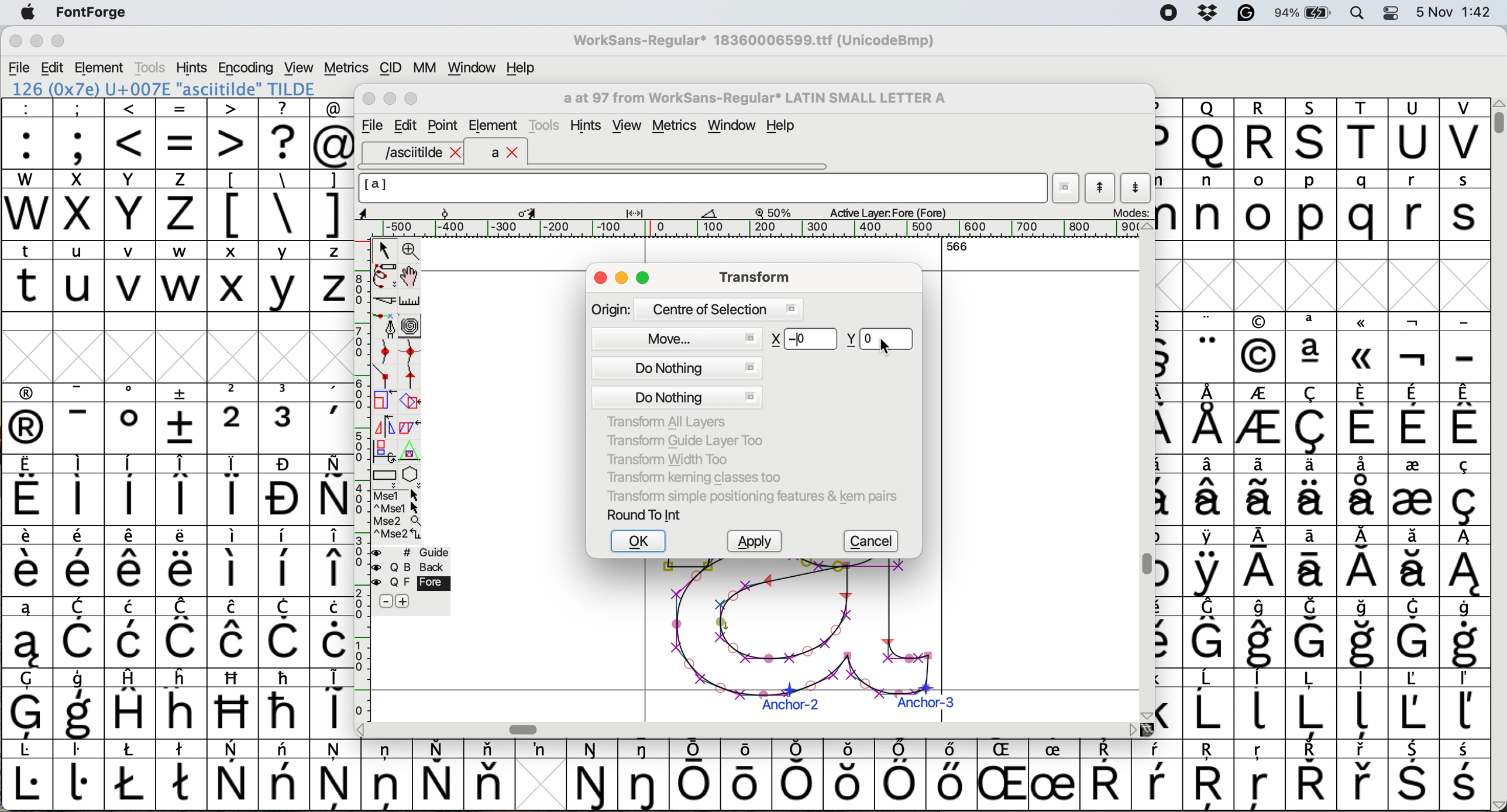 This screenshot has width=1507, height=812. Describe the element at coordinates (674, 457) in the screenshot. I see `tranform width too` at that location.